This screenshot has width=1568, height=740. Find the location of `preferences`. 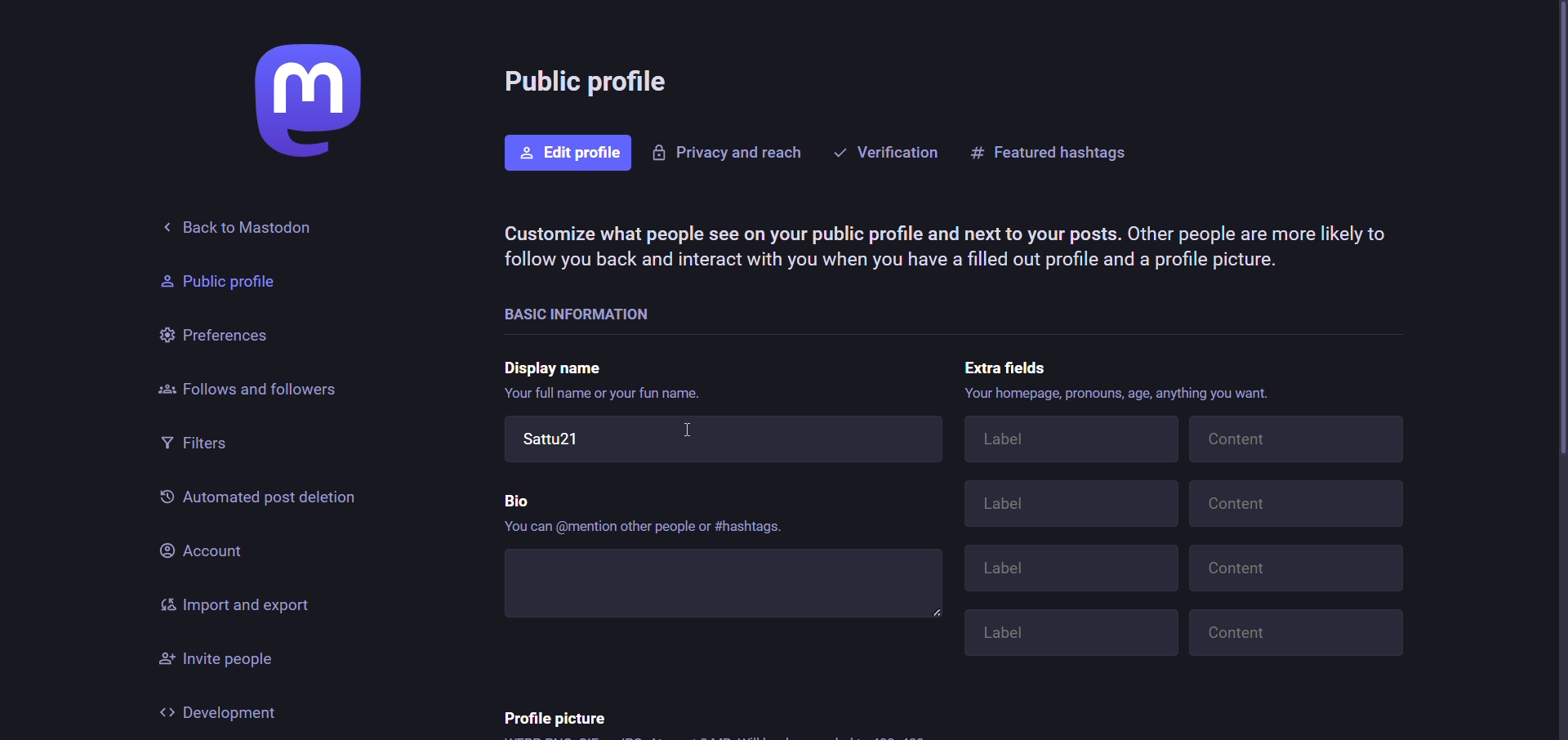

preferences is located at coordinates (215, 332).